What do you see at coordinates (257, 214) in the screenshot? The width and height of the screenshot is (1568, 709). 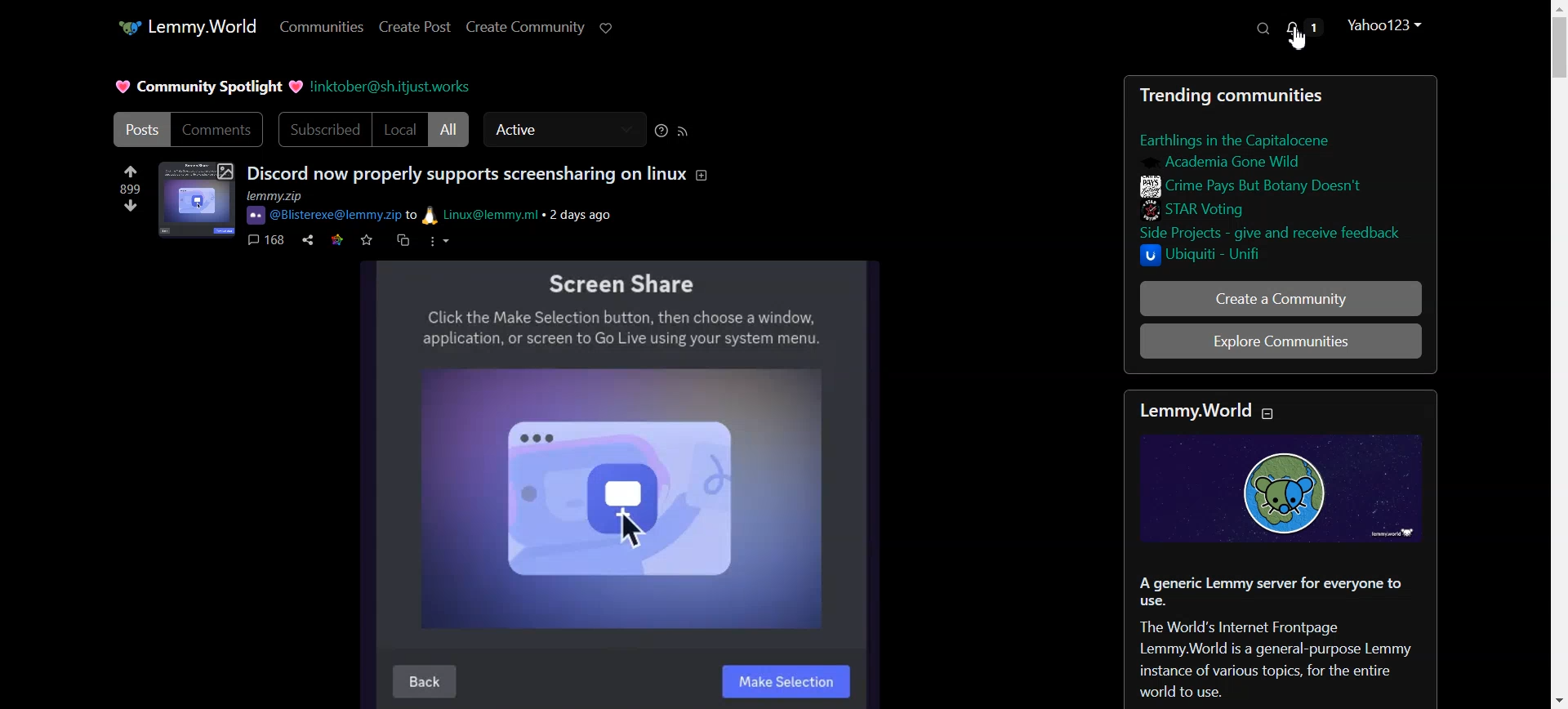 I see `logo` at bounding box center [257, 214].